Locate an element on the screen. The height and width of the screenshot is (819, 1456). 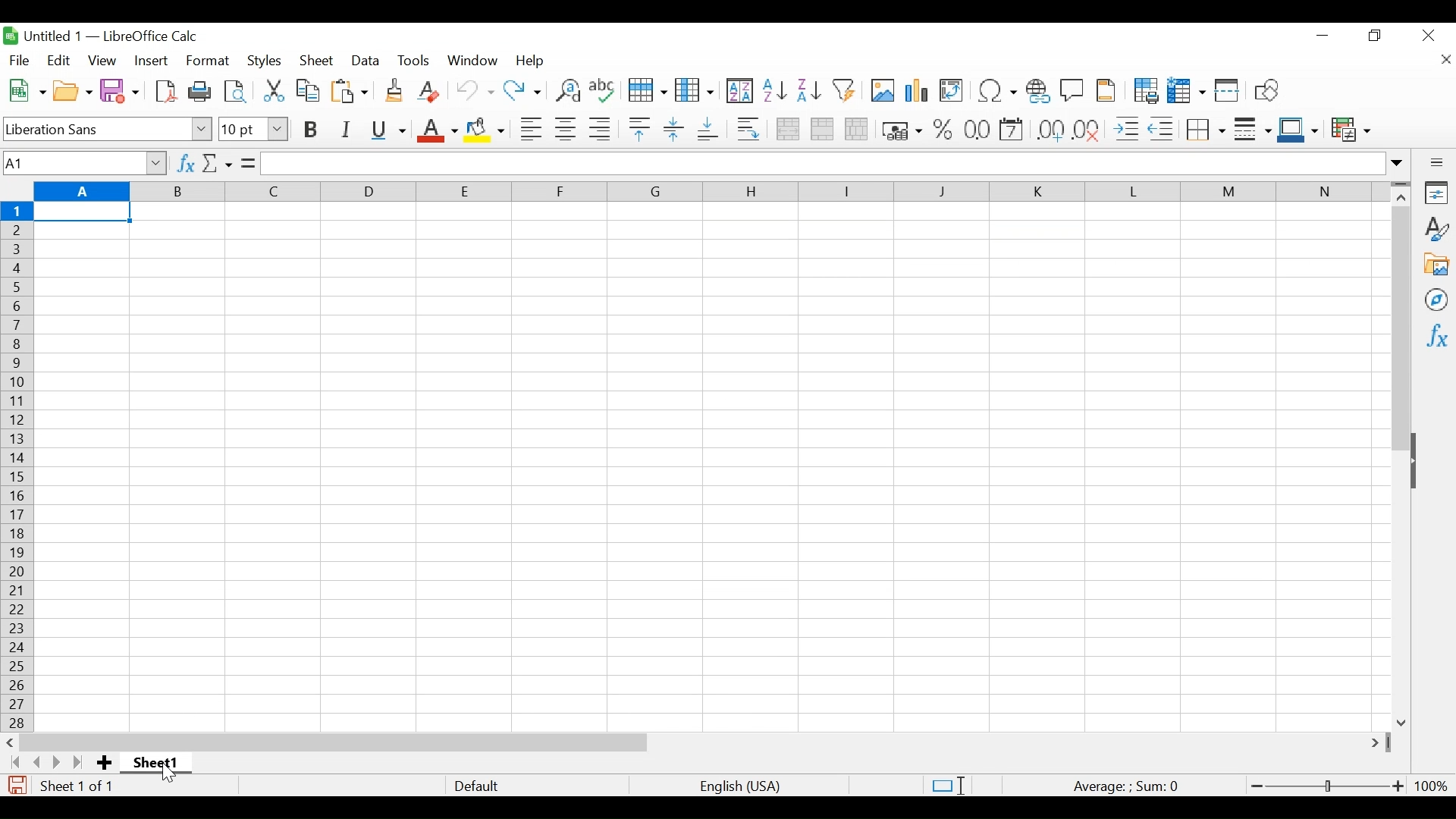
Save as PDF is located at coordinates (166, 90).